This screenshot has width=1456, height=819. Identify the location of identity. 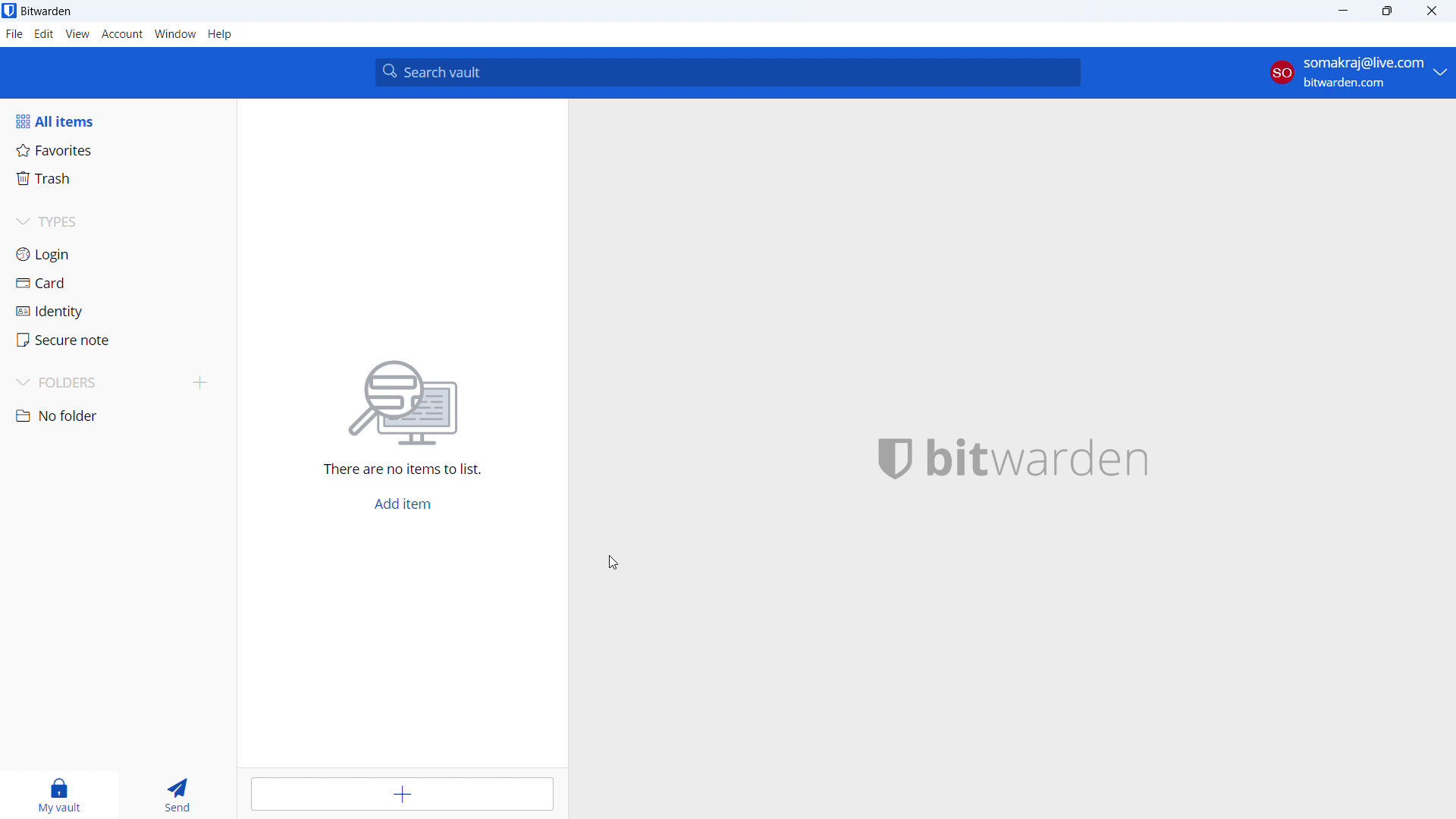
(114, 310).